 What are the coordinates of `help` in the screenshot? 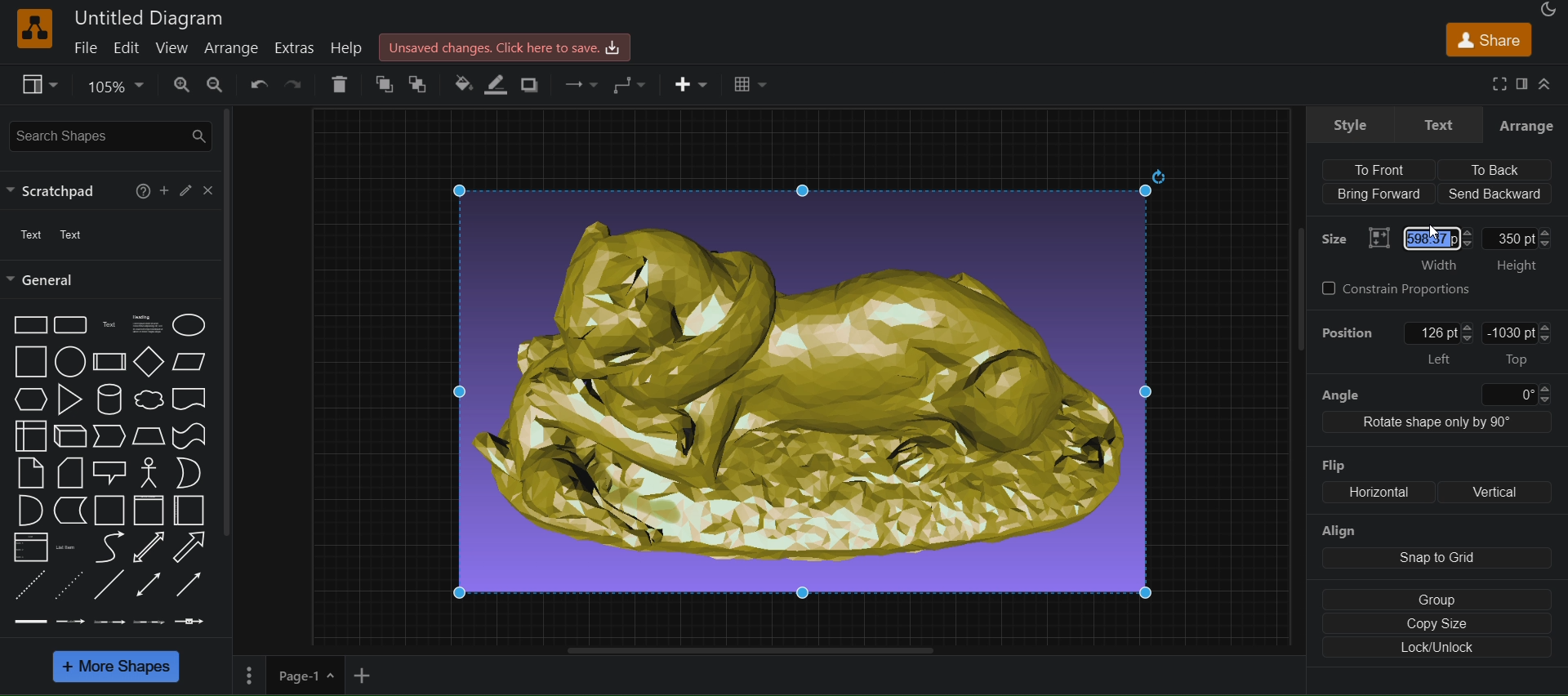 It's located at (140, 190).